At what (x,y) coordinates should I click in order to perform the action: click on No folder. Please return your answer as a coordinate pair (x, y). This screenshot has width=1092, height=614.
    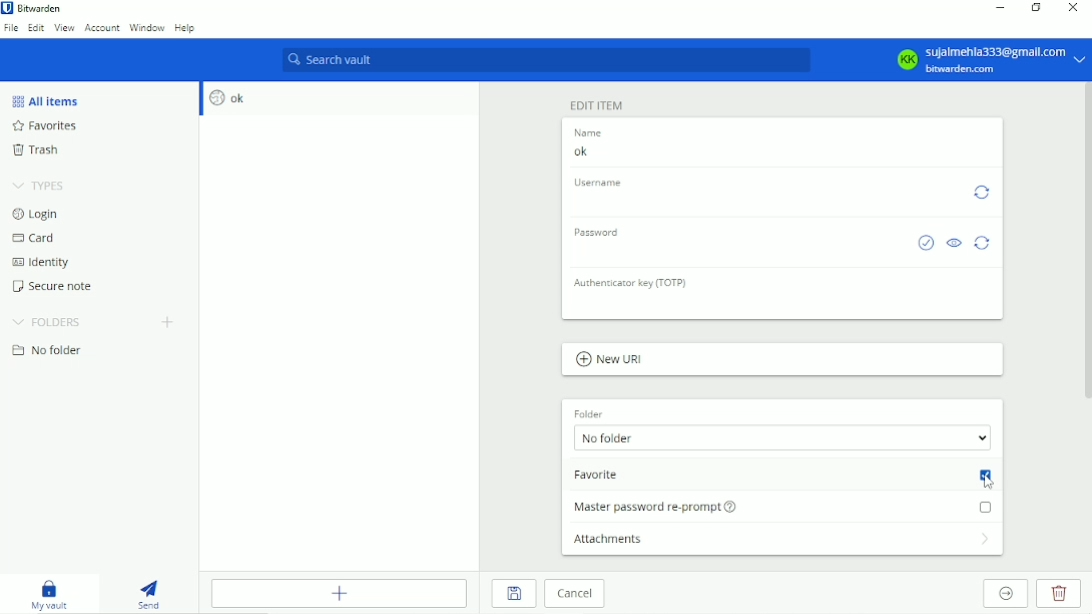
    Looking at the image, I should click on (49, 351).